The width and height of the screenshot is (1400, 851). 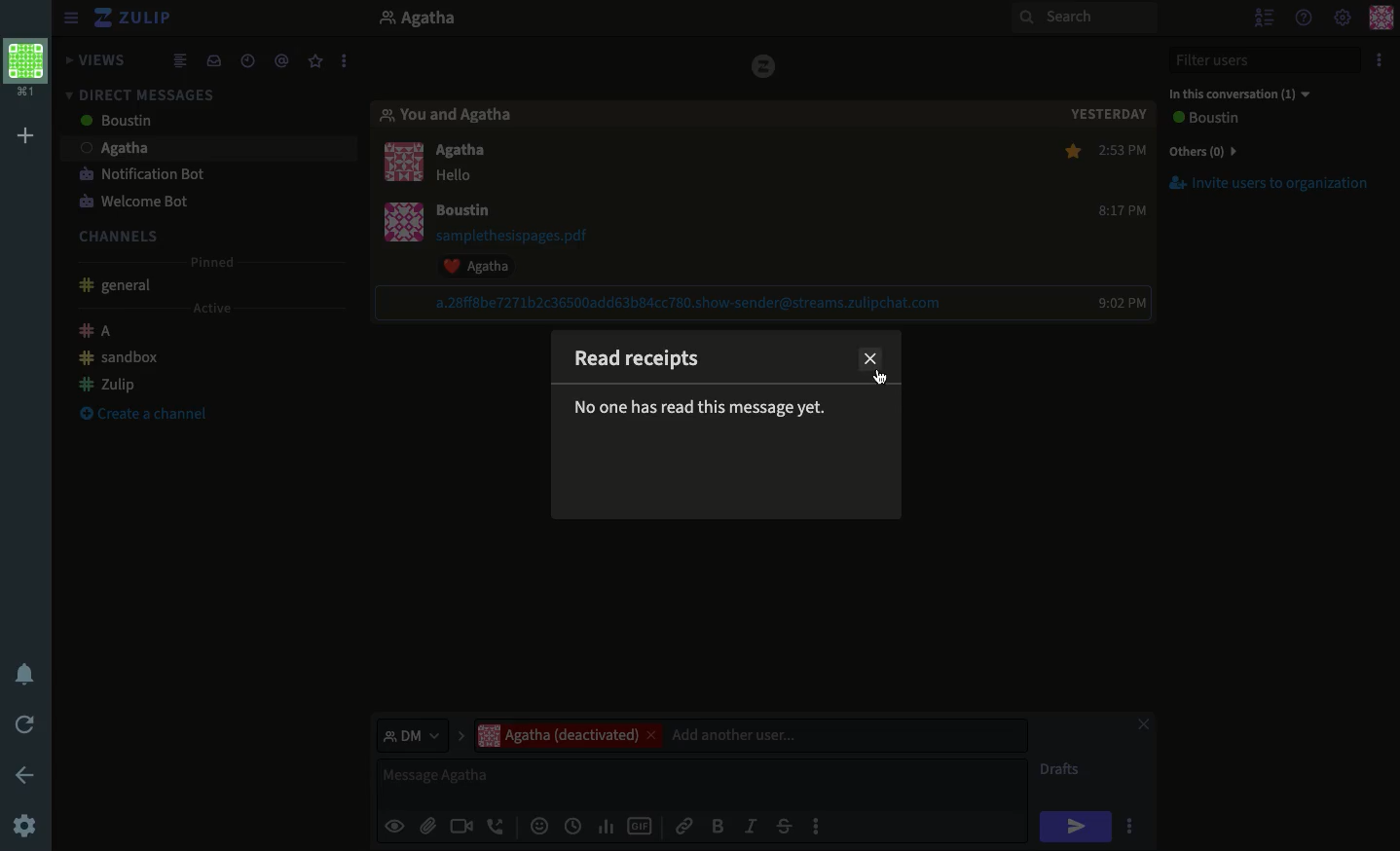 I want to click on yesterday, so click(x=1112, y=116).